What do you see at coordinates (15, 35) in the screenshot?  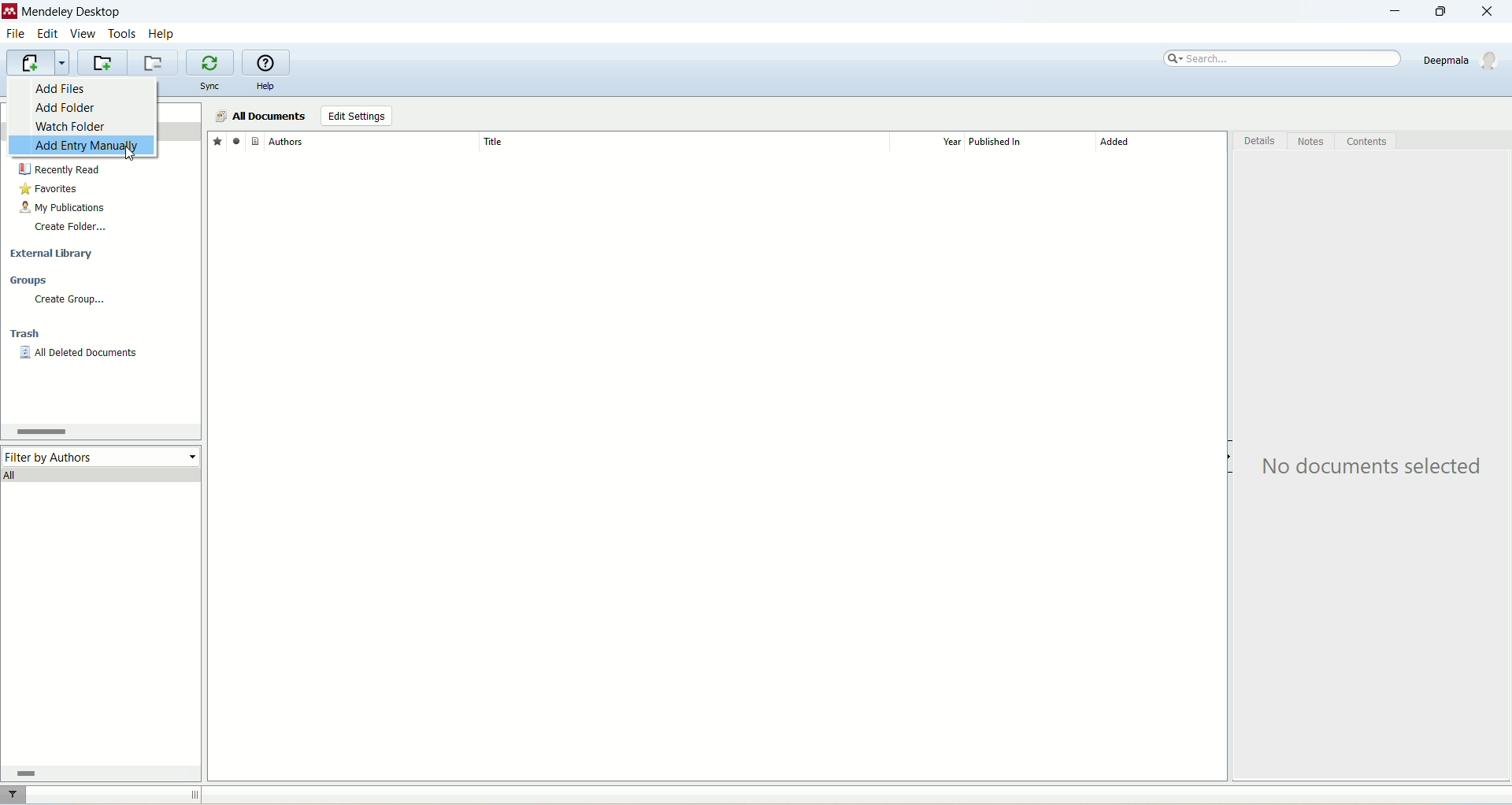 I see `file` at bounding box center [15, 35].